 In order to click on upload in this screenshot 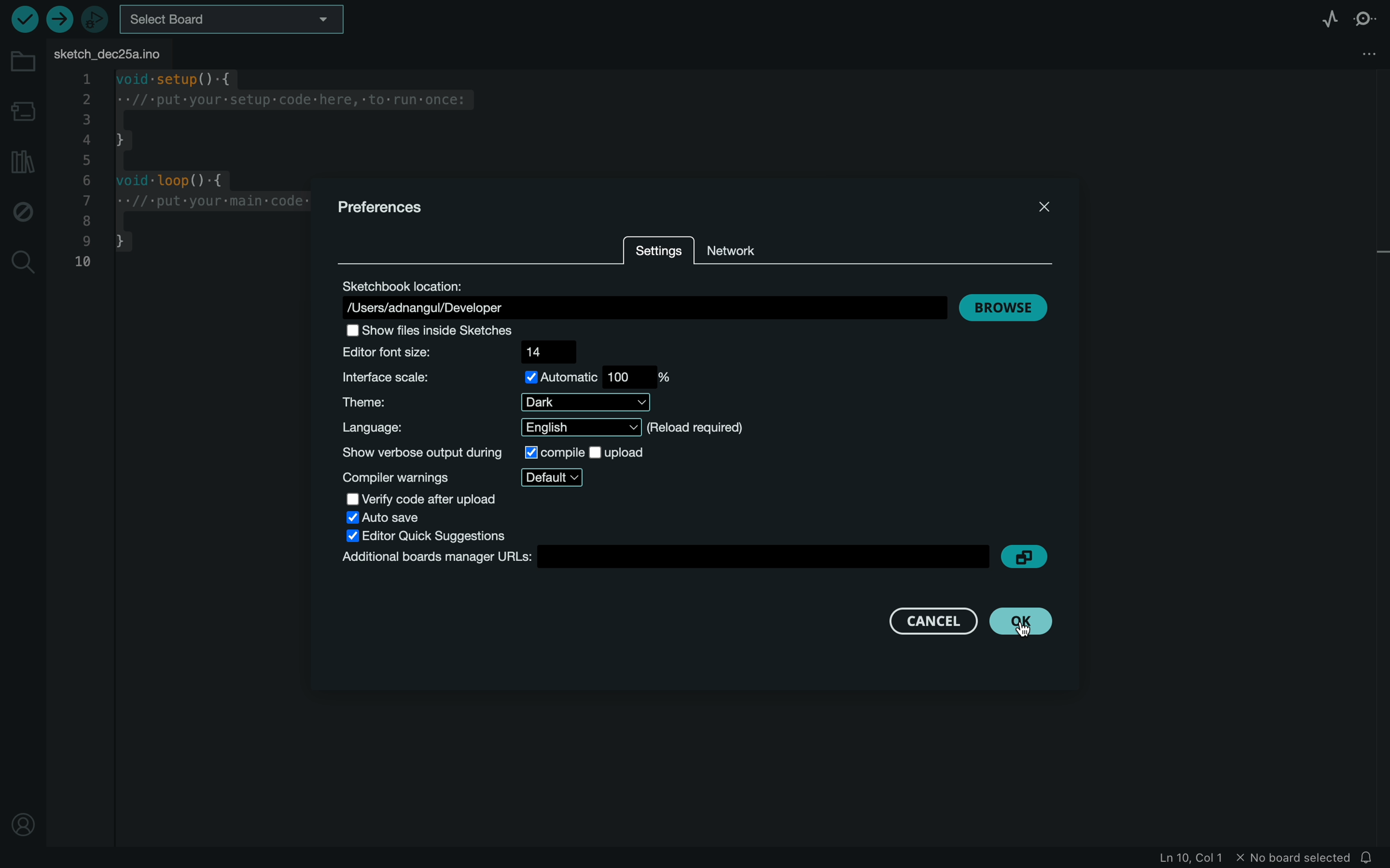, I will do `click(57, 18)`.